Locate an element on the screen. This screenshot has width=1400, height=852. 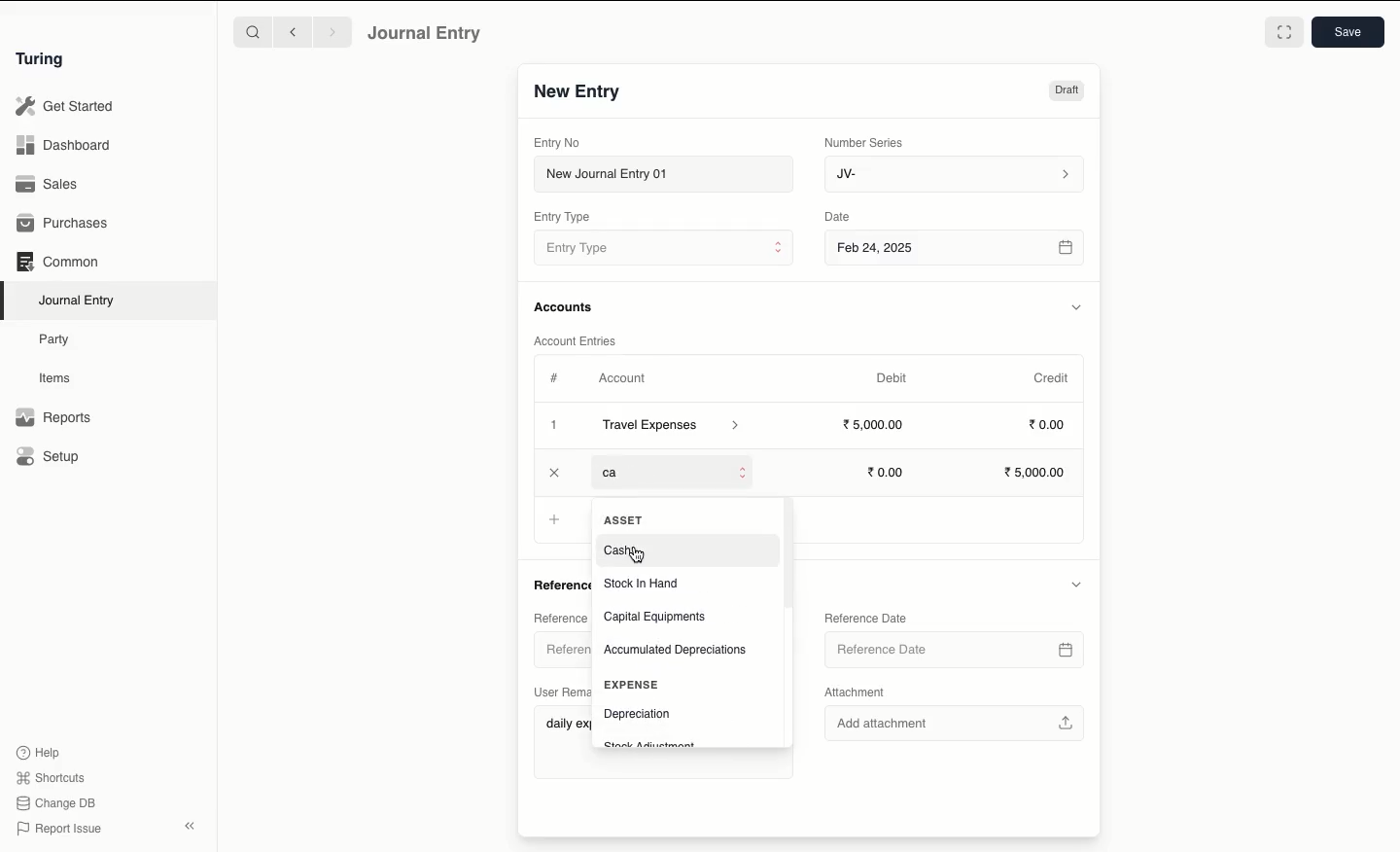
New Journal Entry 01 is located at coordinates (662, 173).